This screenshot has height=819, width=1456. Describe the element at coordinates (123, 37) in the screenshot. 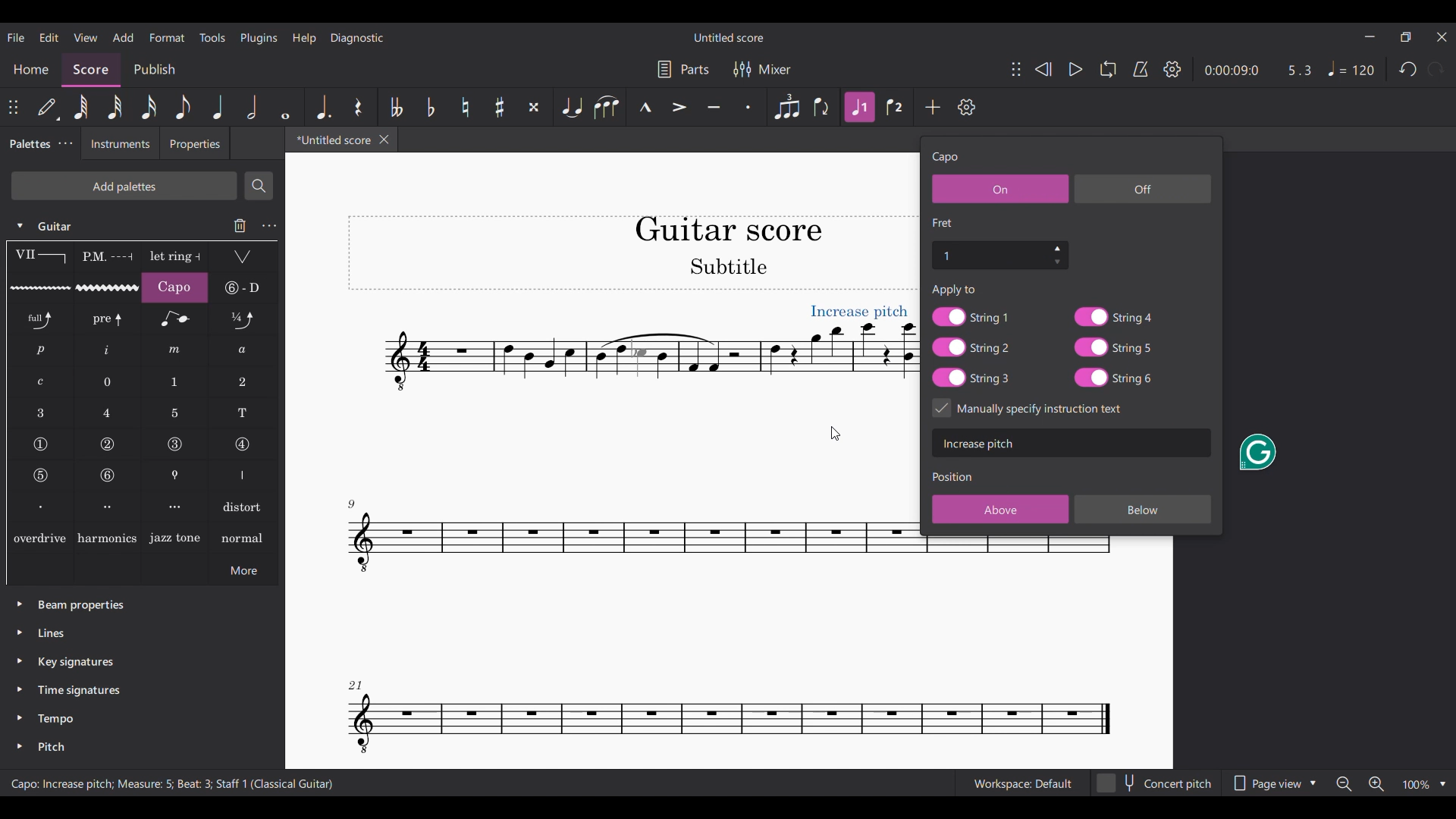

I see `Add menu` at that location.